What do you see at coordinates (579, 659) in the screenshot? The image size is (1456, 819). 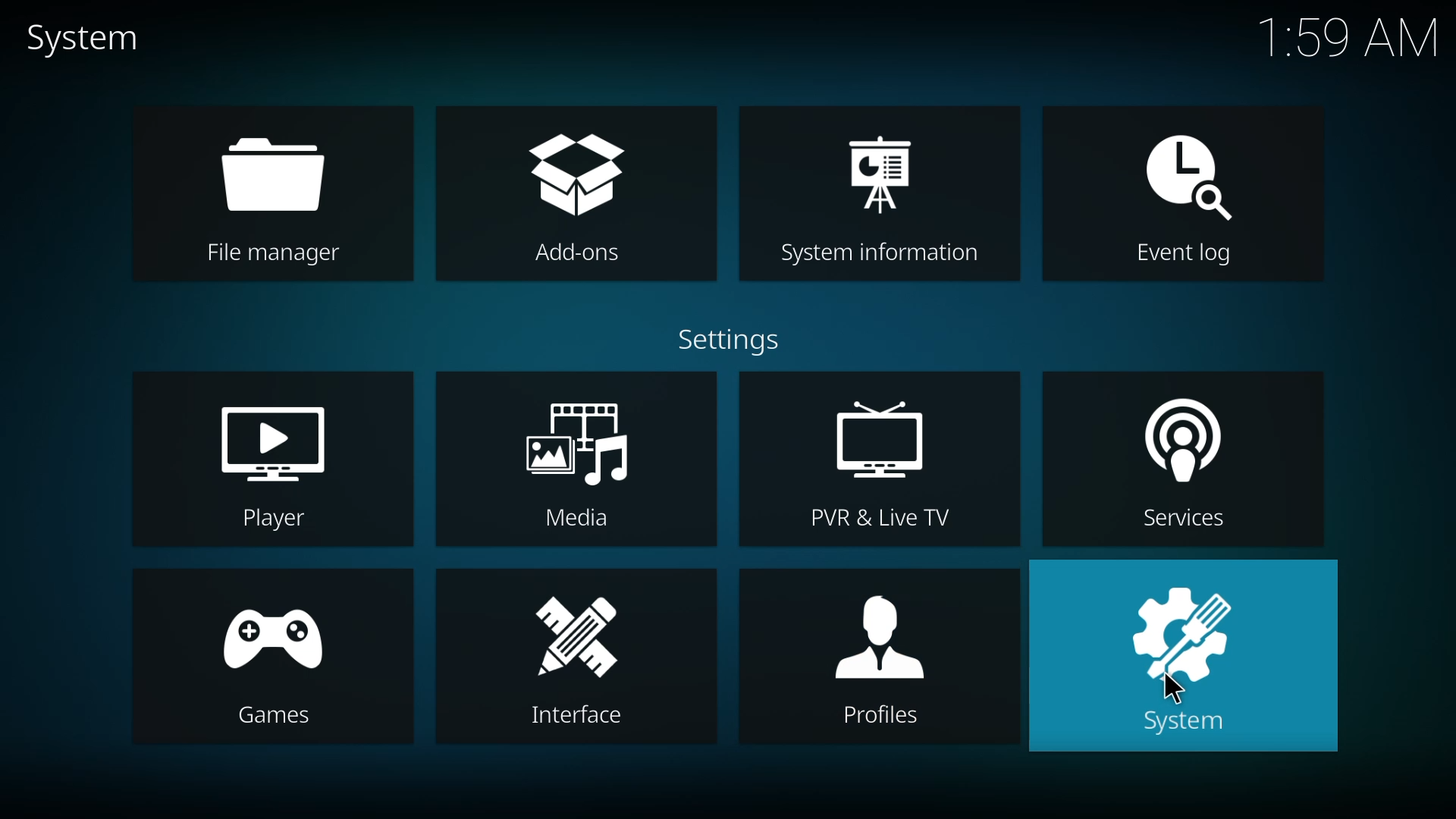 I see `interface` at bounding box center [579, 659].